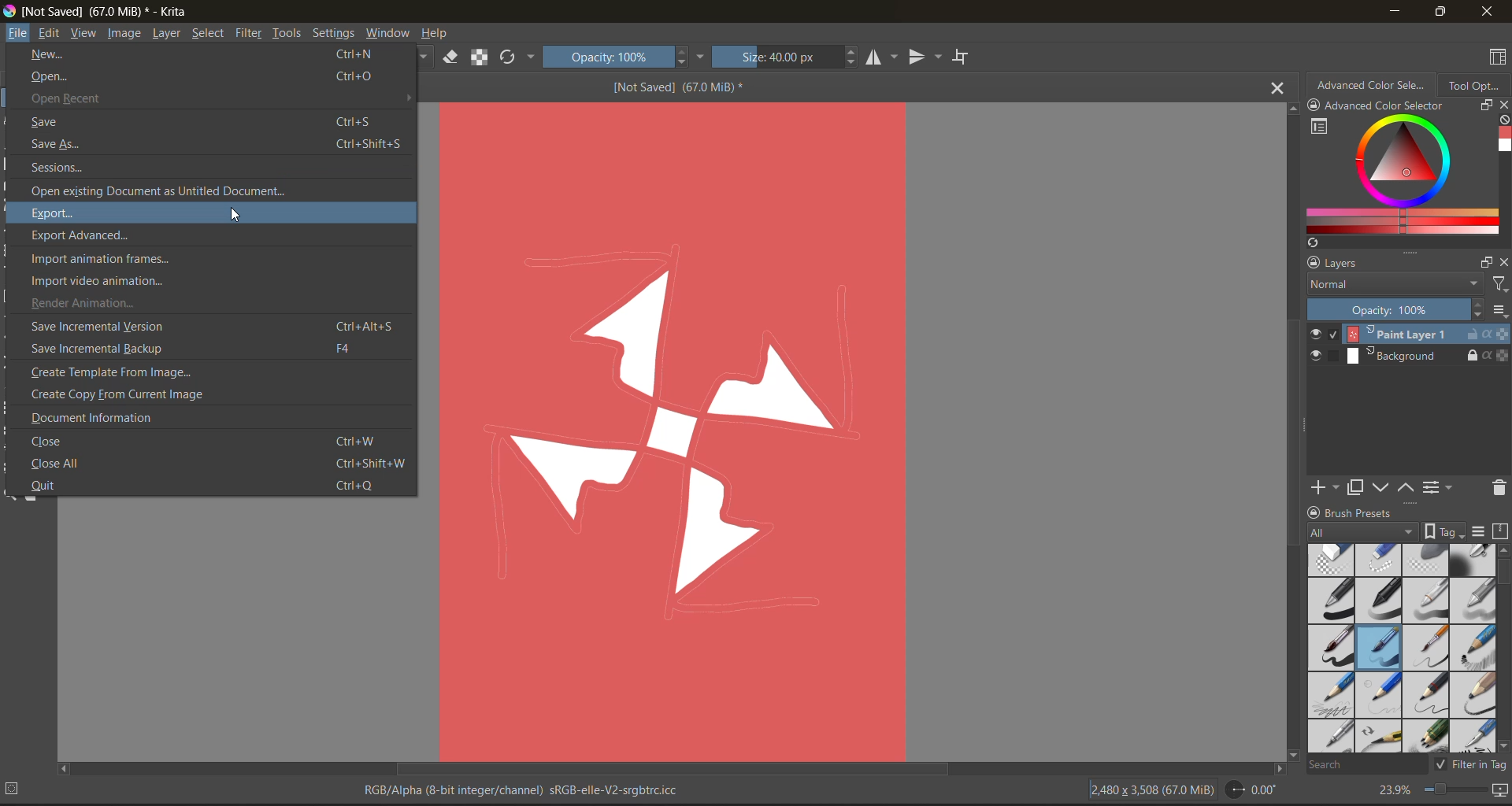 This screenshot has width=1512, height=806. Describe the element at coordinates (168, 282) in the screenshot. I see `import video animation` at that location.